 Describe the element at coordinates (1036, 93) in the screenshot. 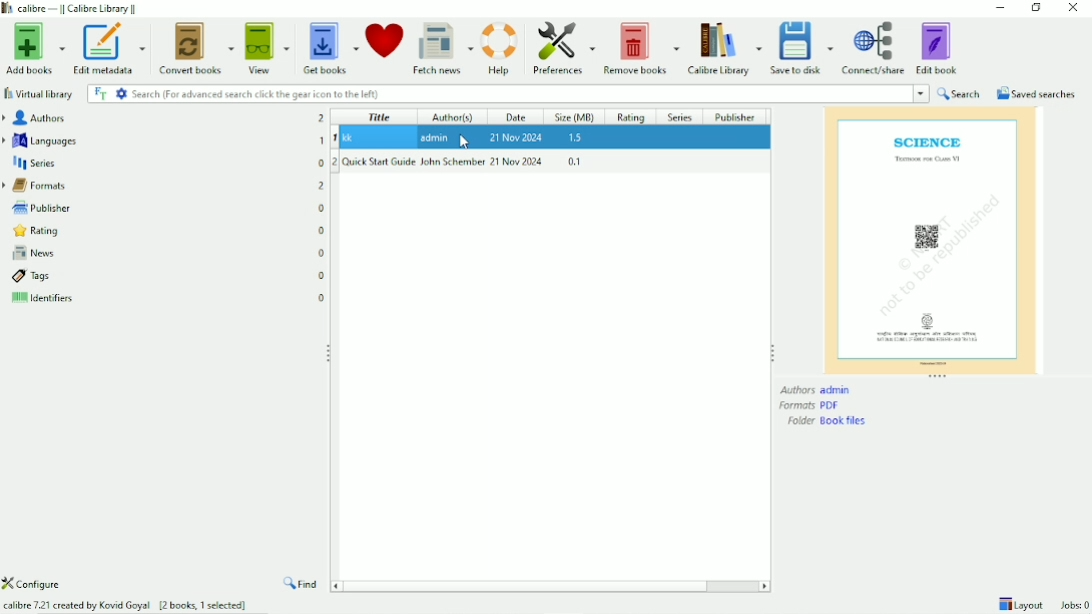

I see `Saved searches` at that location.